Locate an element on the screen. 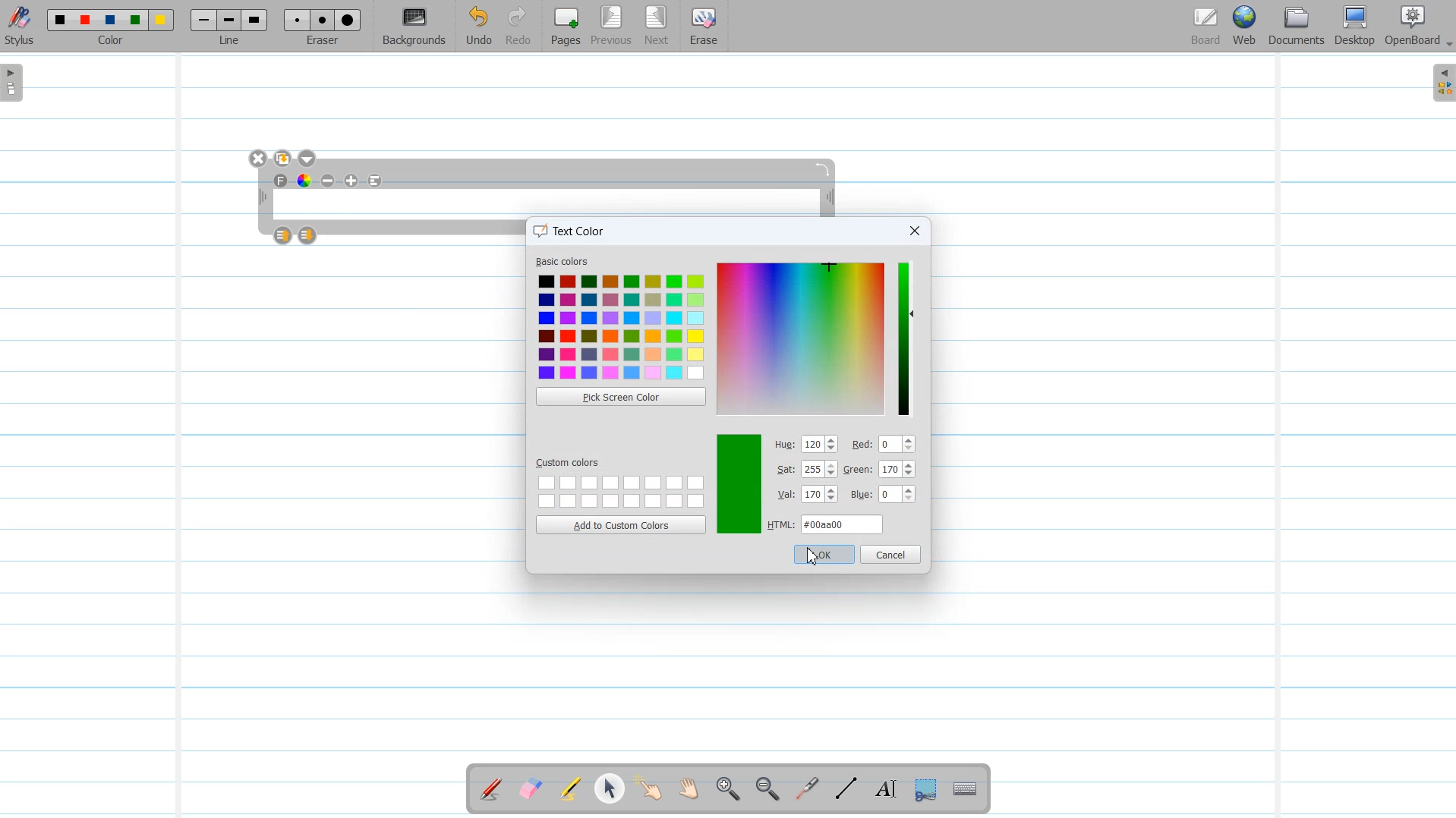  Capture part of the screen is located at coordinates (924, 790).